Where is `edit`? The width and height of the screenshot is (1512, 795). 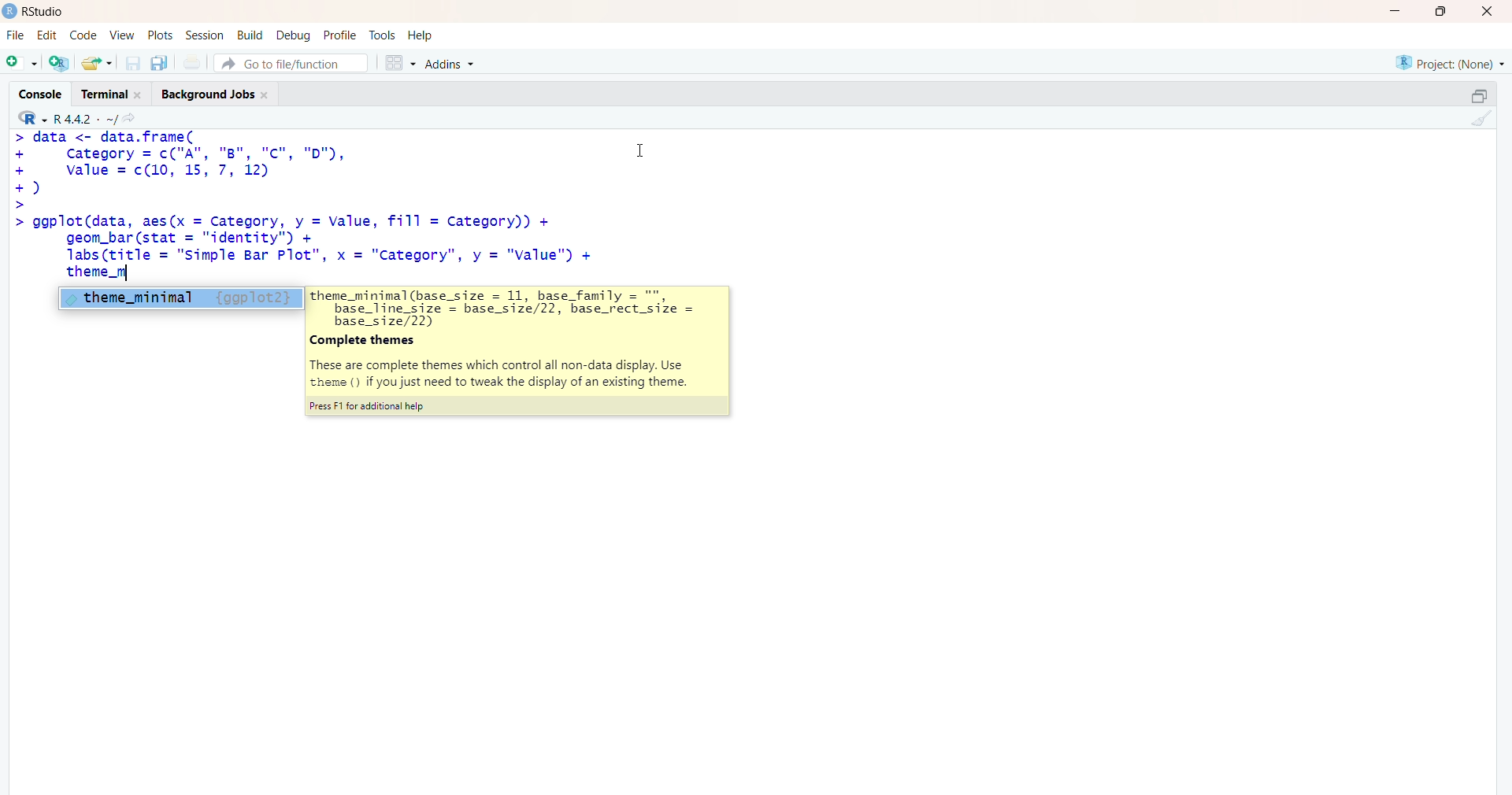
edit is located at coordinates (47, 35).